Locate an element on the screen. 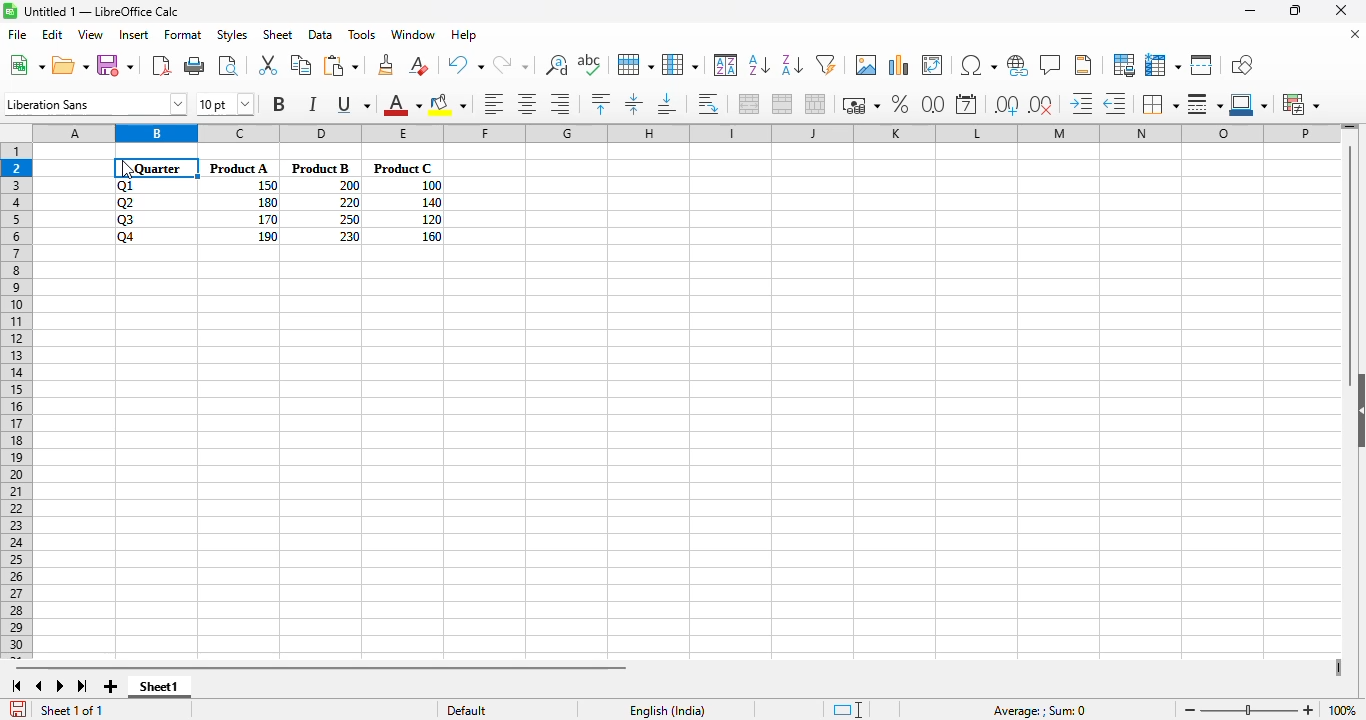  help is located at coordinates (464, 35).